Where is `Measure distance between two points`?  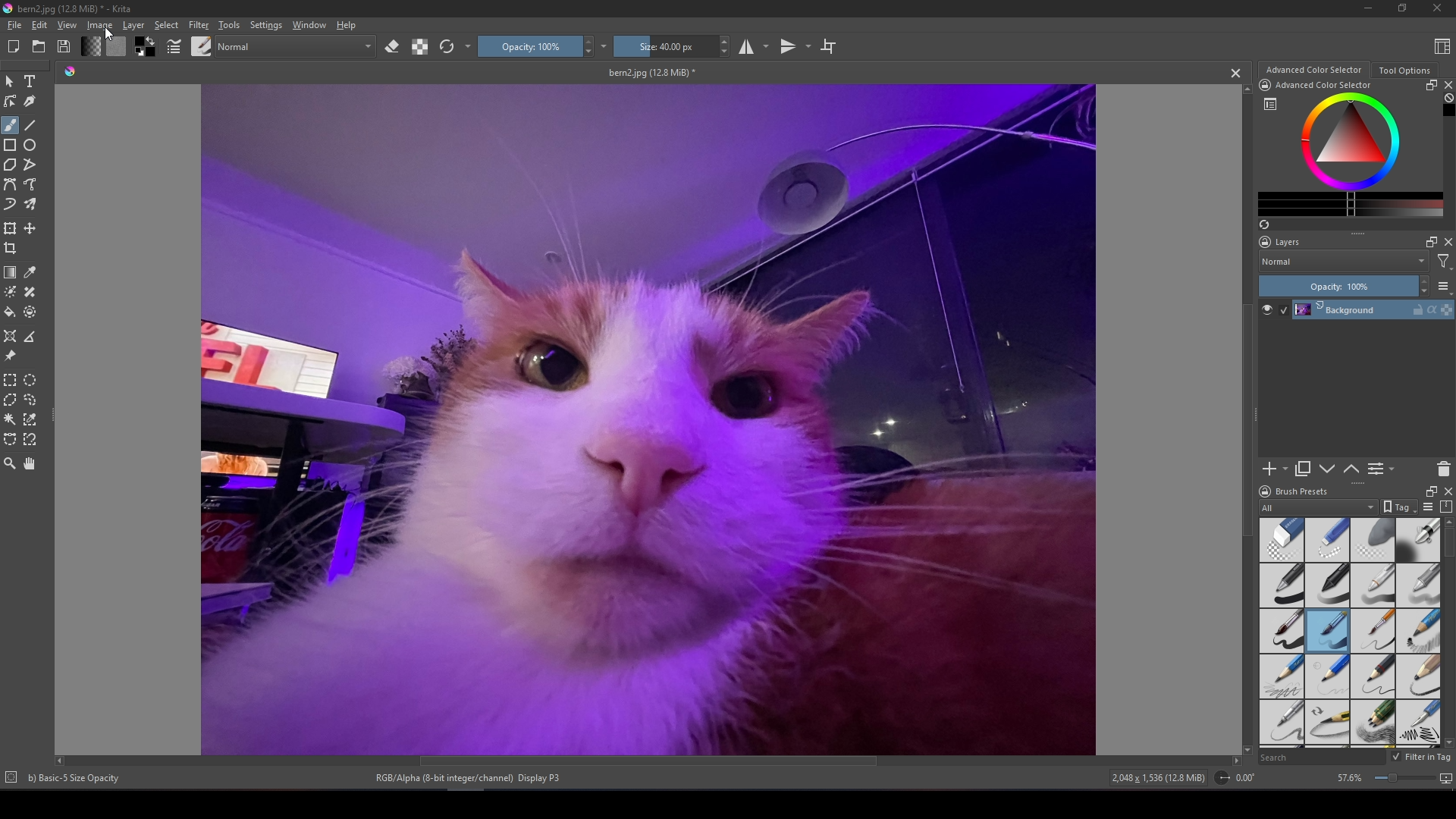 Measure distance between two points is located at coordinates (29, 337).